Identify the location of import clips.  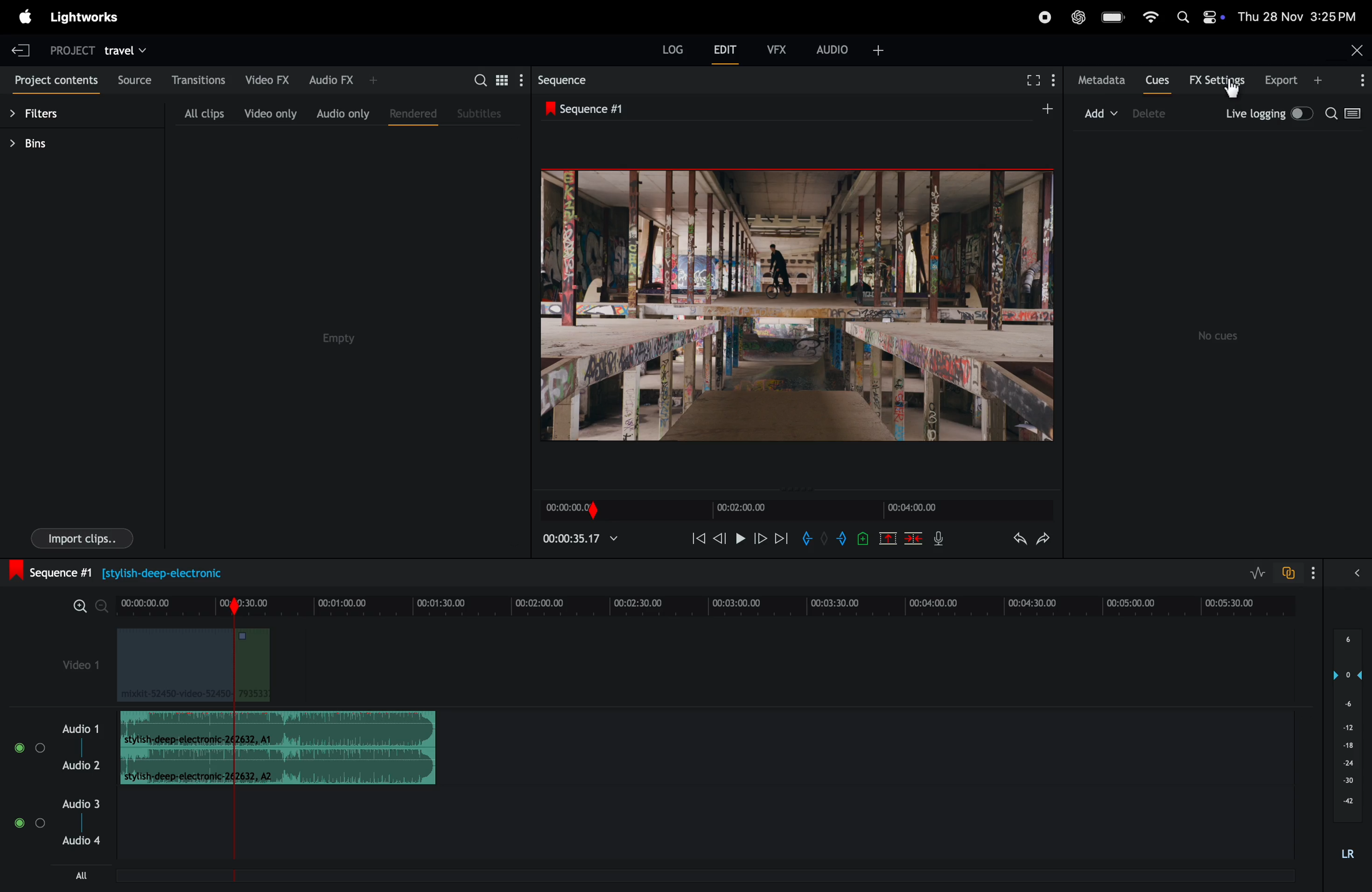
(76, 540).